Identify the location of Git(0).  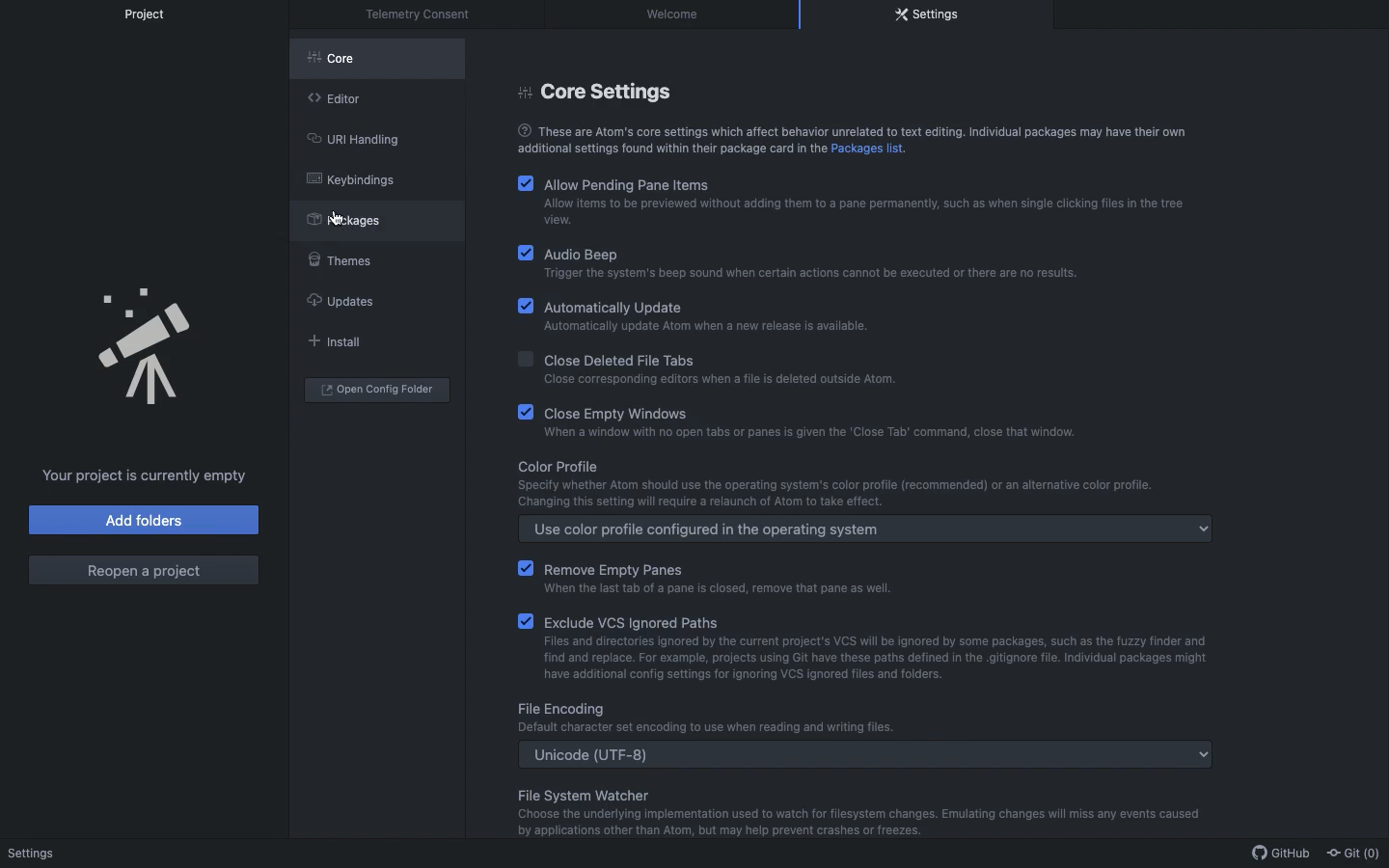
(1350, 852).